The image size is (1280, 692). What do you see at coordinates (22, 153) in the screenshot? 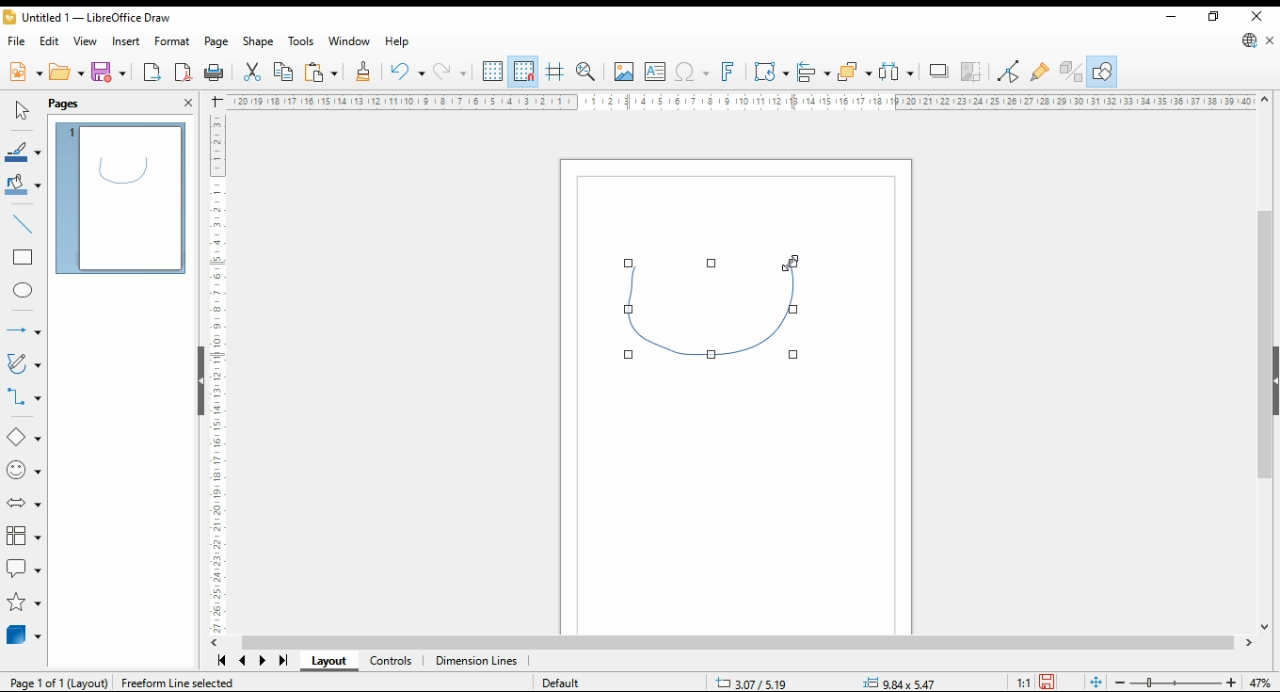
I see `line color` at bounding box center [22, 153].